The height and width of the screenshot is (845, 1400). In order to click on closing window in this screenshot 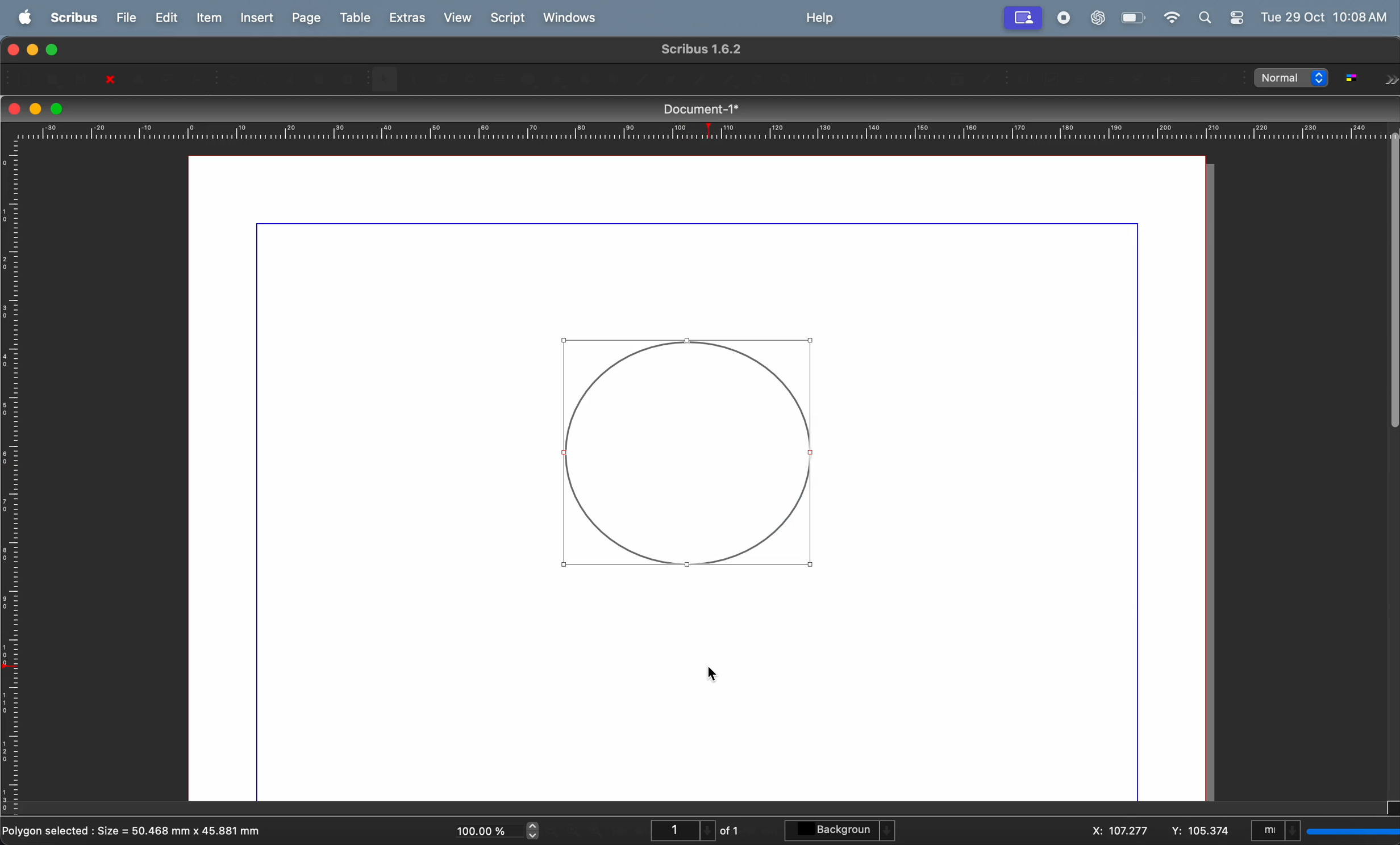, I will do `click(14, 108)`.